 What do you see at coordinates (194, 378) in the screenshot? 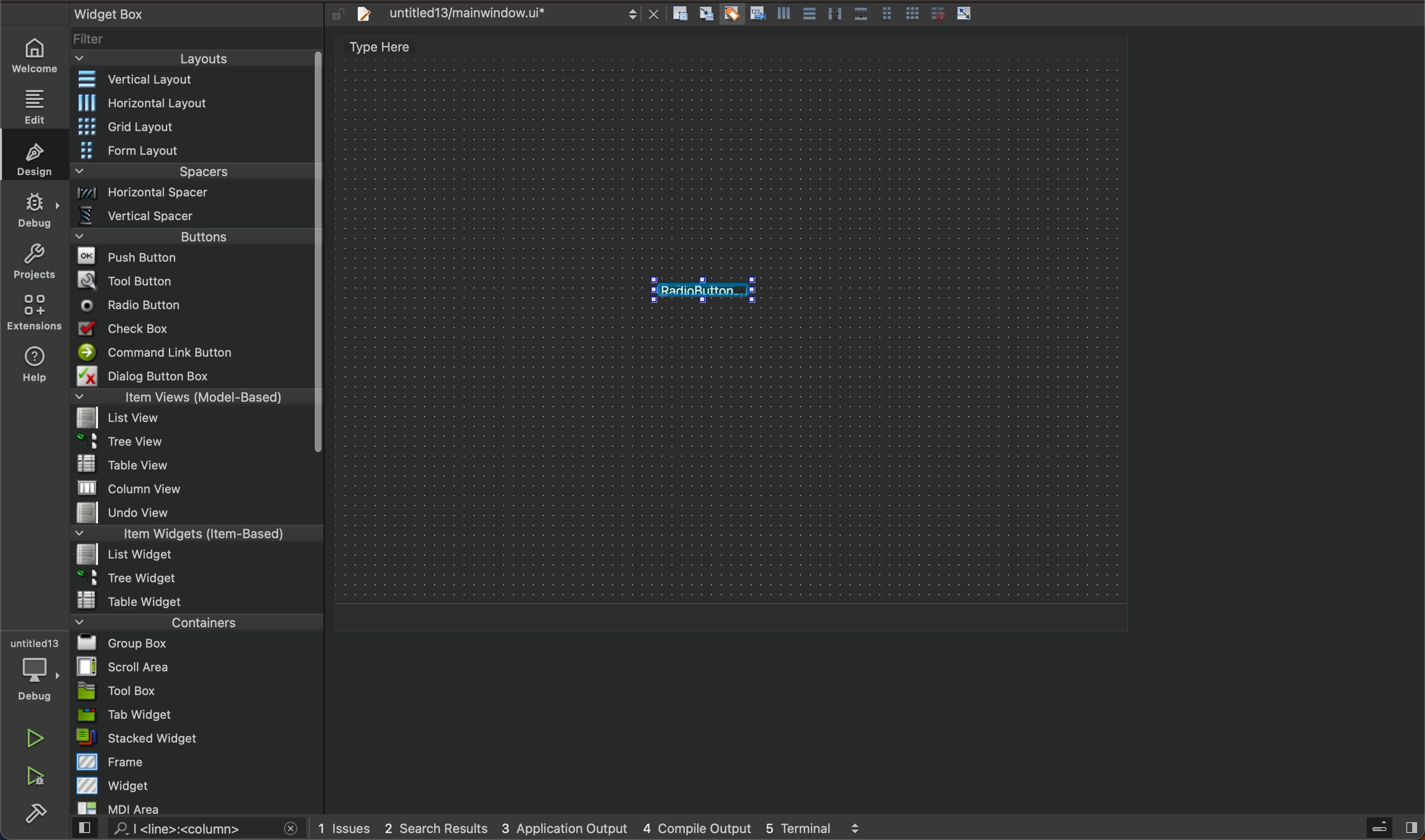
I see `dialong button` at bounding box center [194, 378].